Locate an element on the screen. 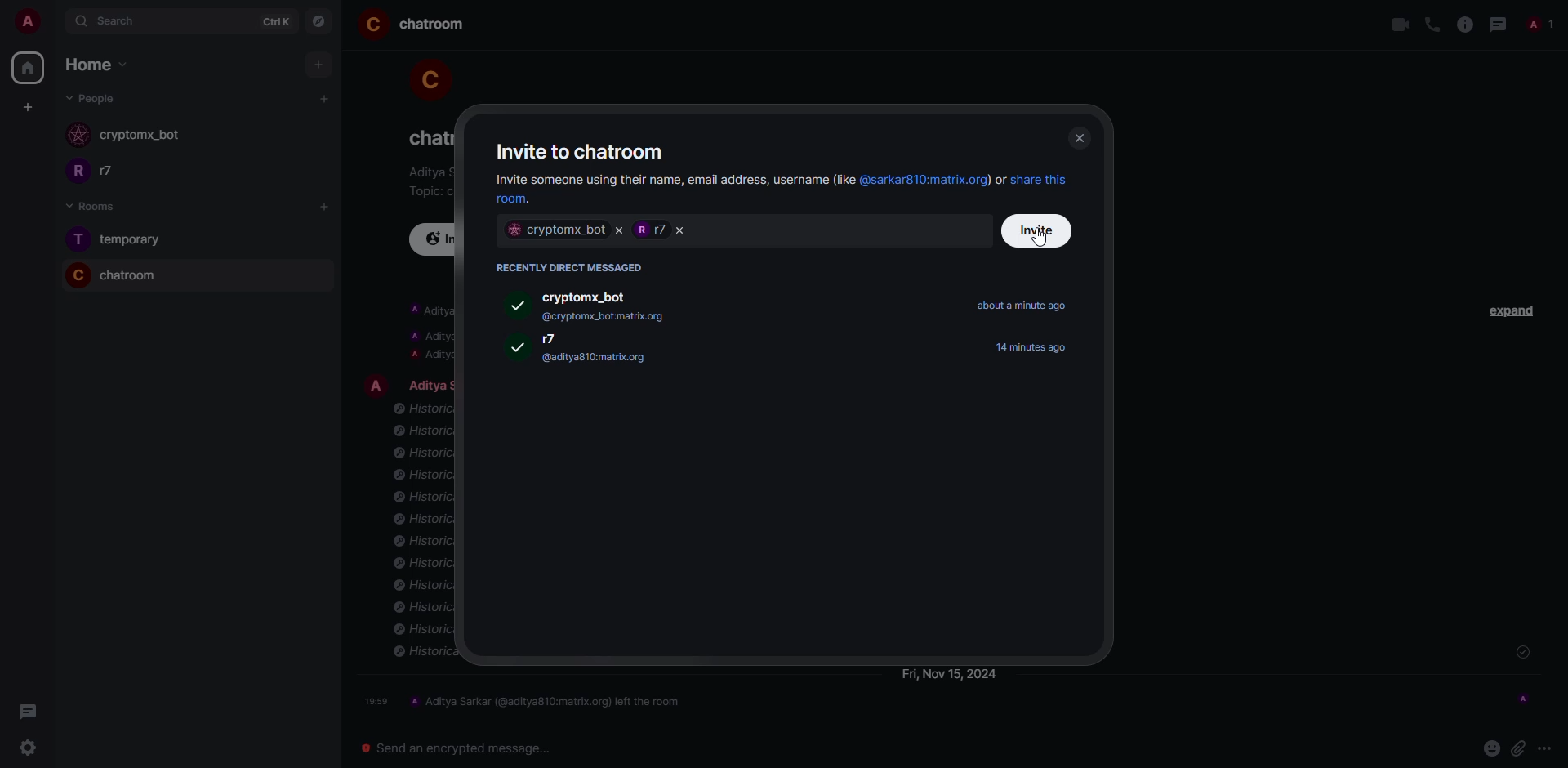 The height and width of the screenshot is (768, 1568). profile is located at coordinates (74, 173).